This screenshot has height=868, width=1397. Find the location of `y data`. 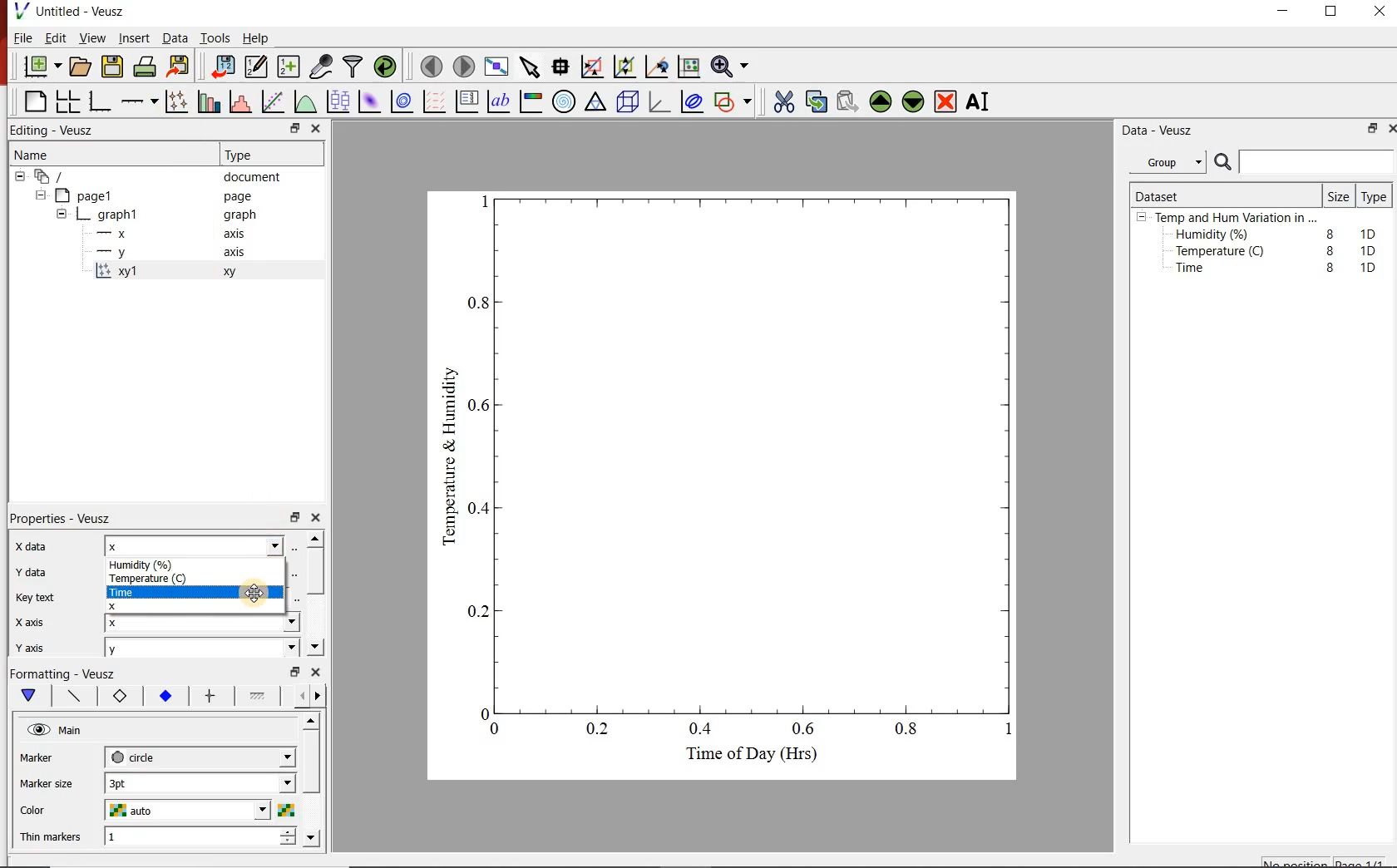

y data is located at coordinates (37, 570).